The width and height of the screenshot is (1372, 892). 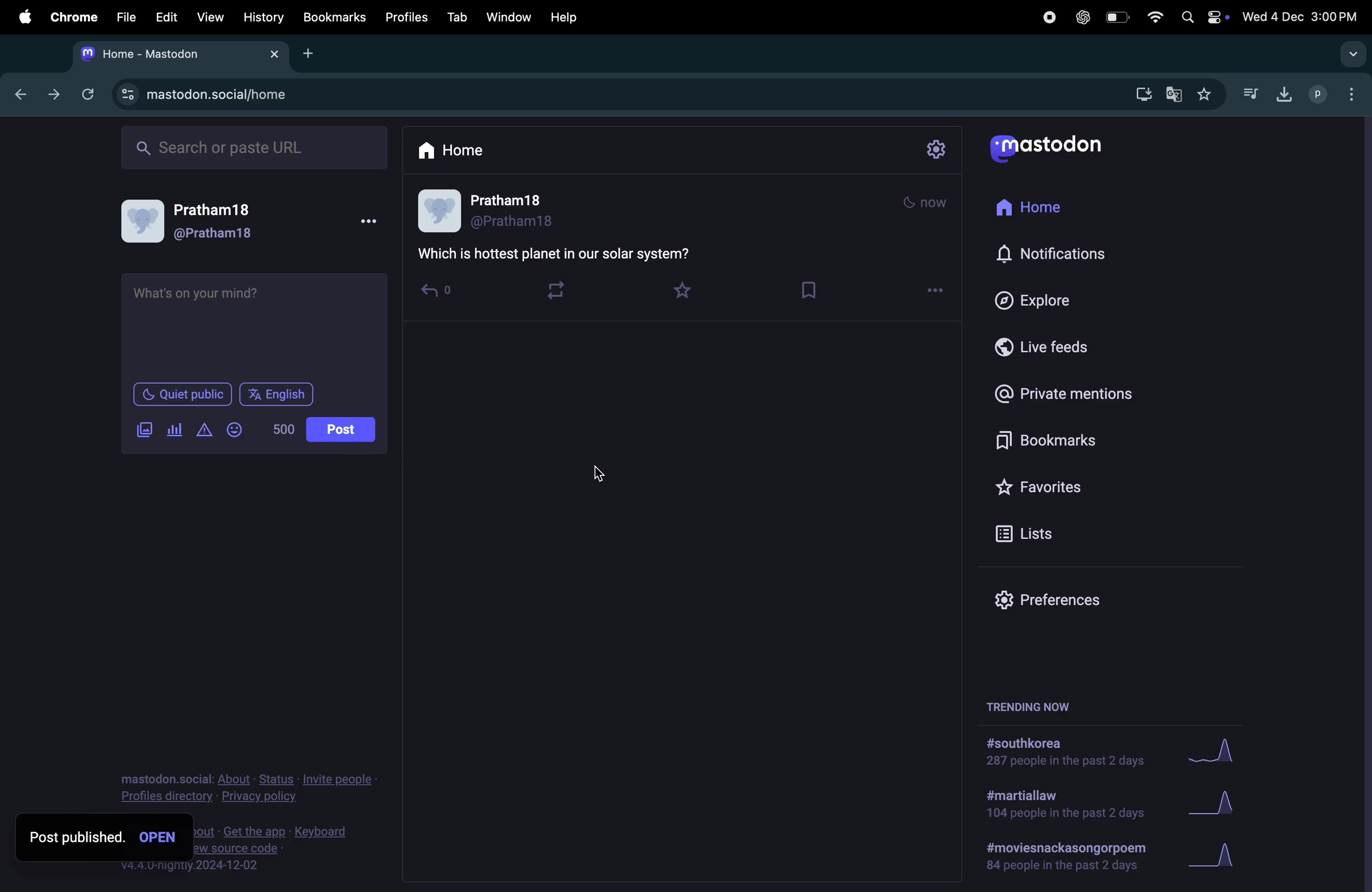 I want to click on profiles, so click(x=1331, y=95).